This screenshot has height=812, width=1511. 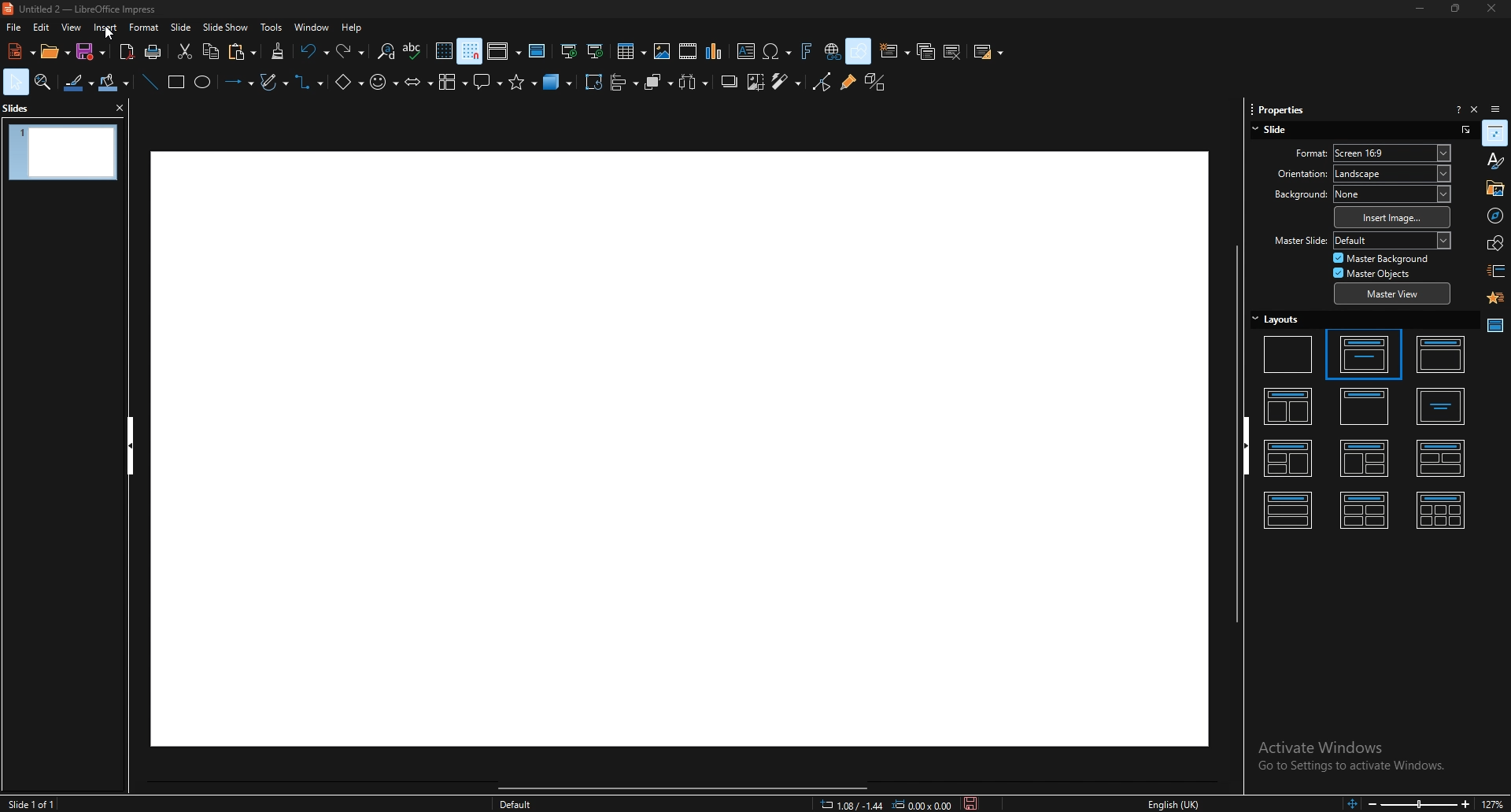 What do you see at coordinates (109, 34) in the screenshot?
I see `cursor` at bounding box center [109, 34].